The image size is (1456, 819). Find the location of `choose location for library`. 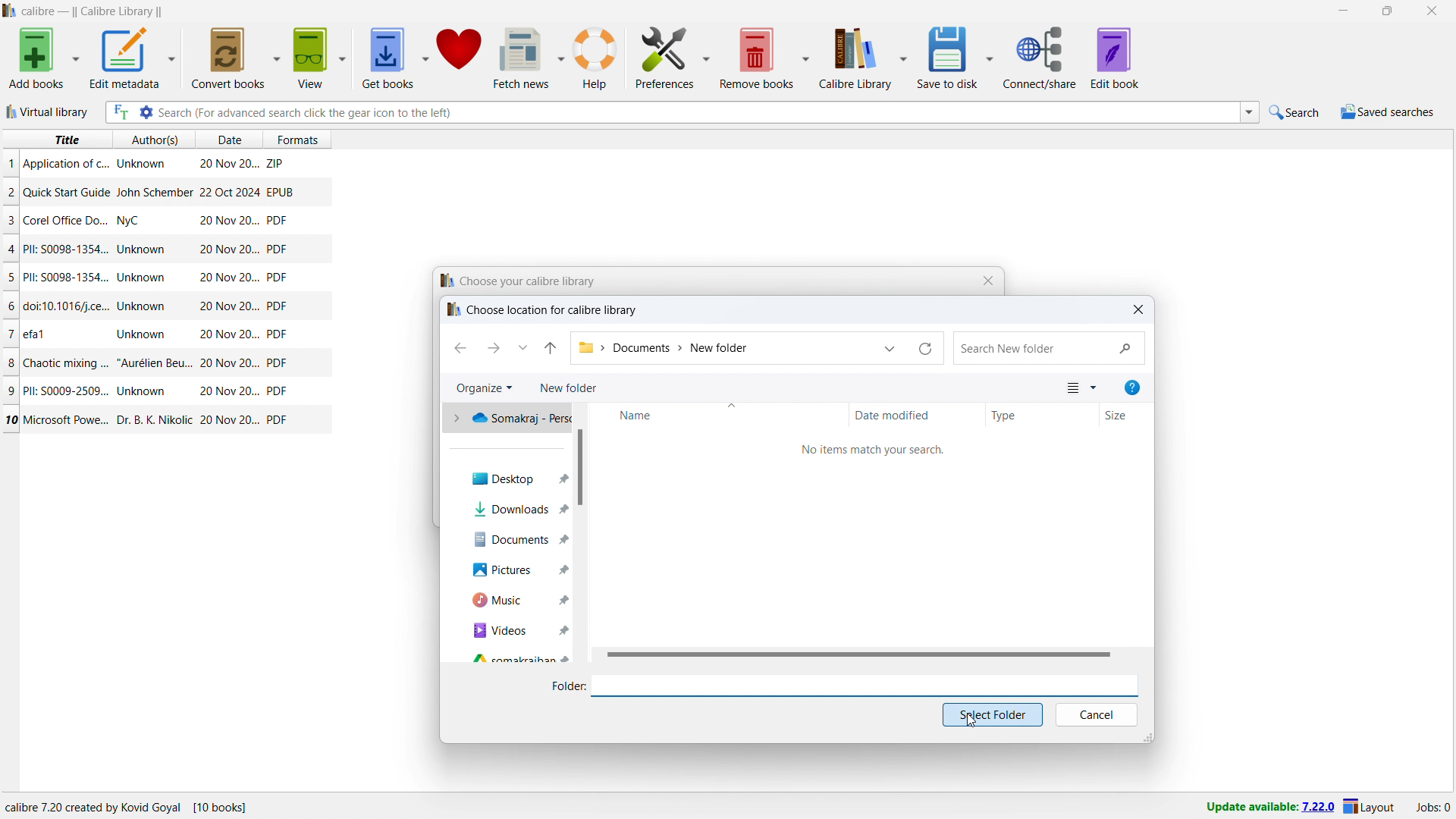

choose location for library is located at coordinates (544, 310).